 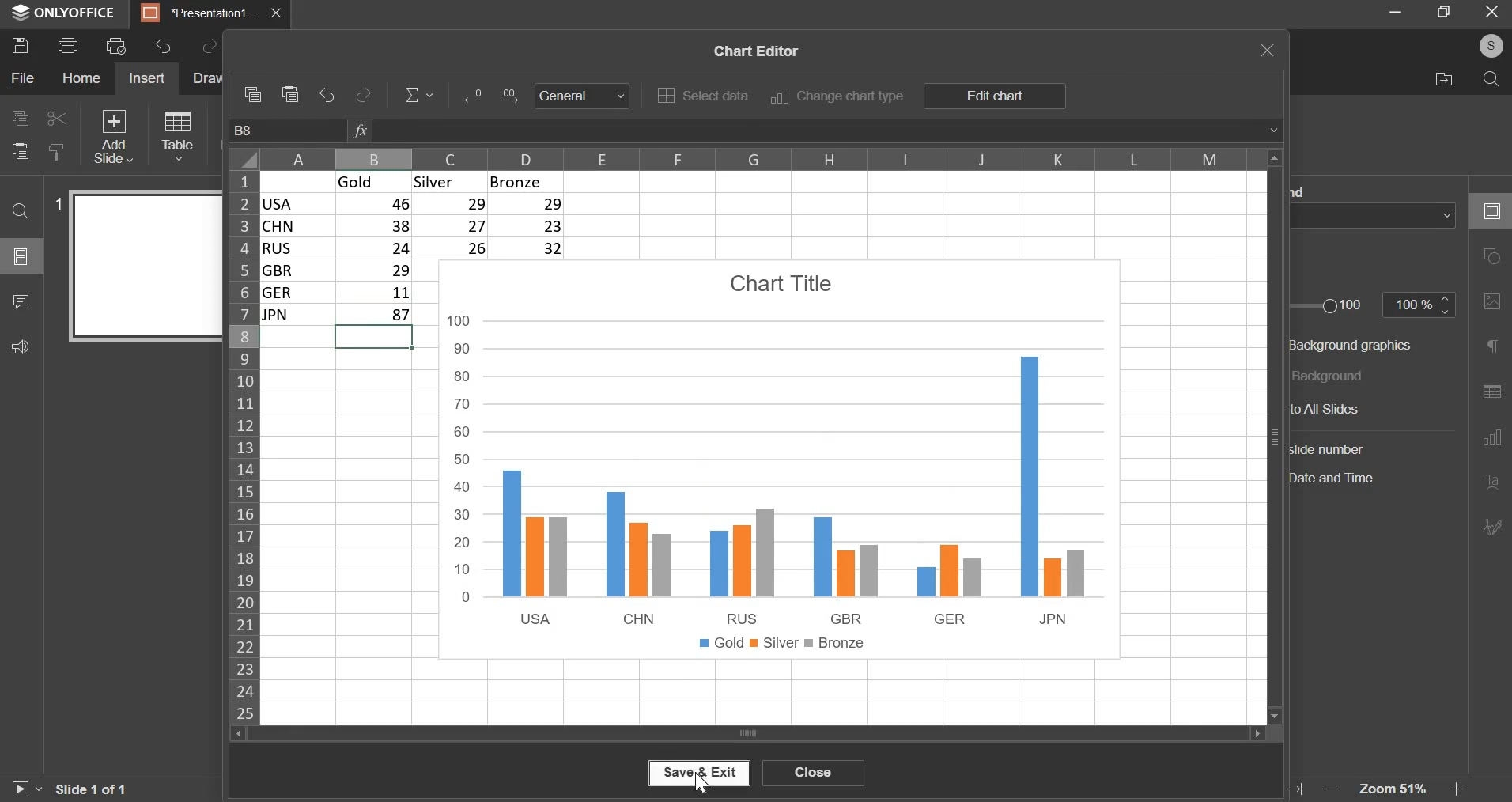 I want to click on add slide, so click(x=112, y=135).